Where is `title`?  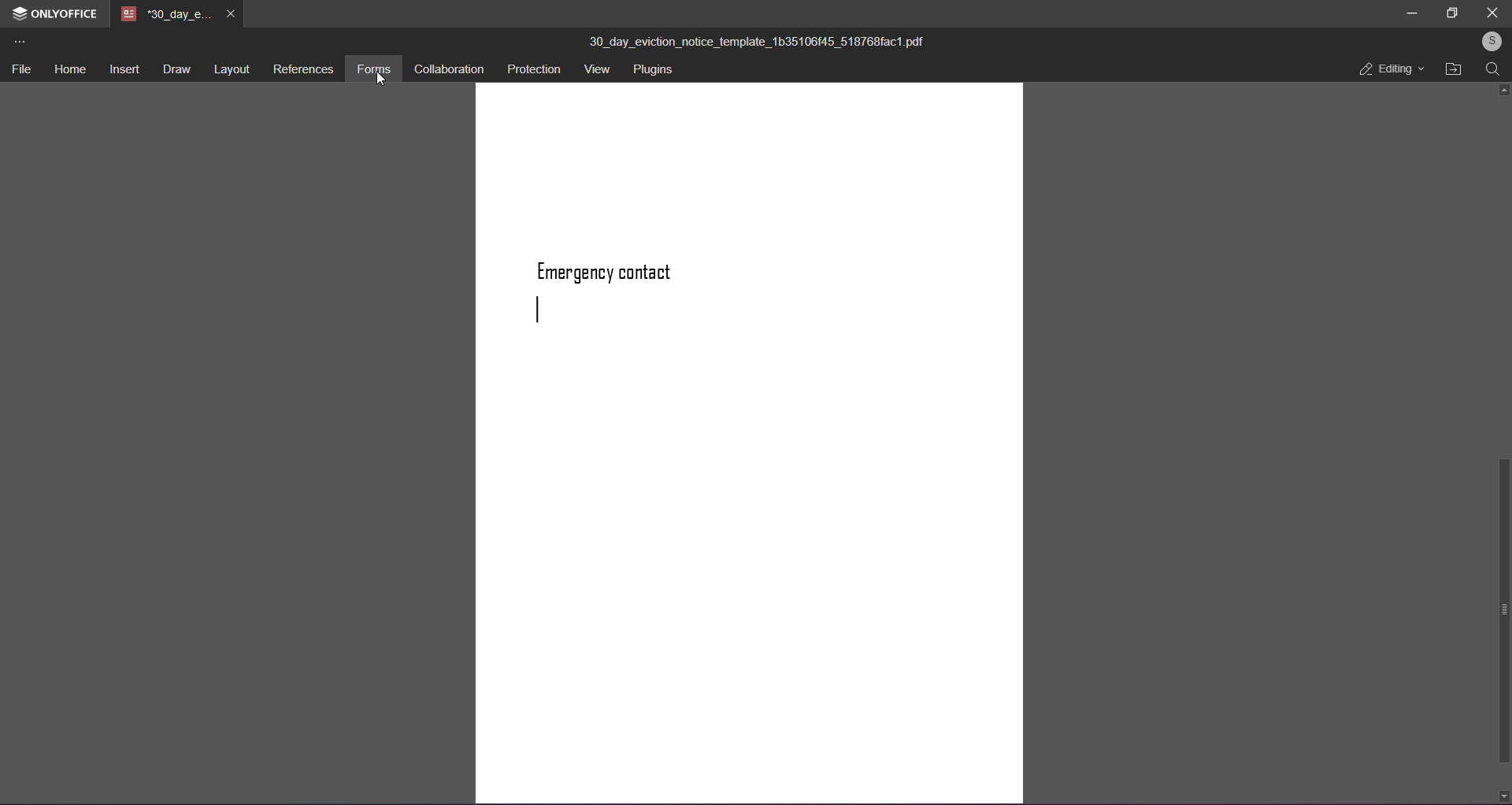
title is located at coordinates (757, 43).